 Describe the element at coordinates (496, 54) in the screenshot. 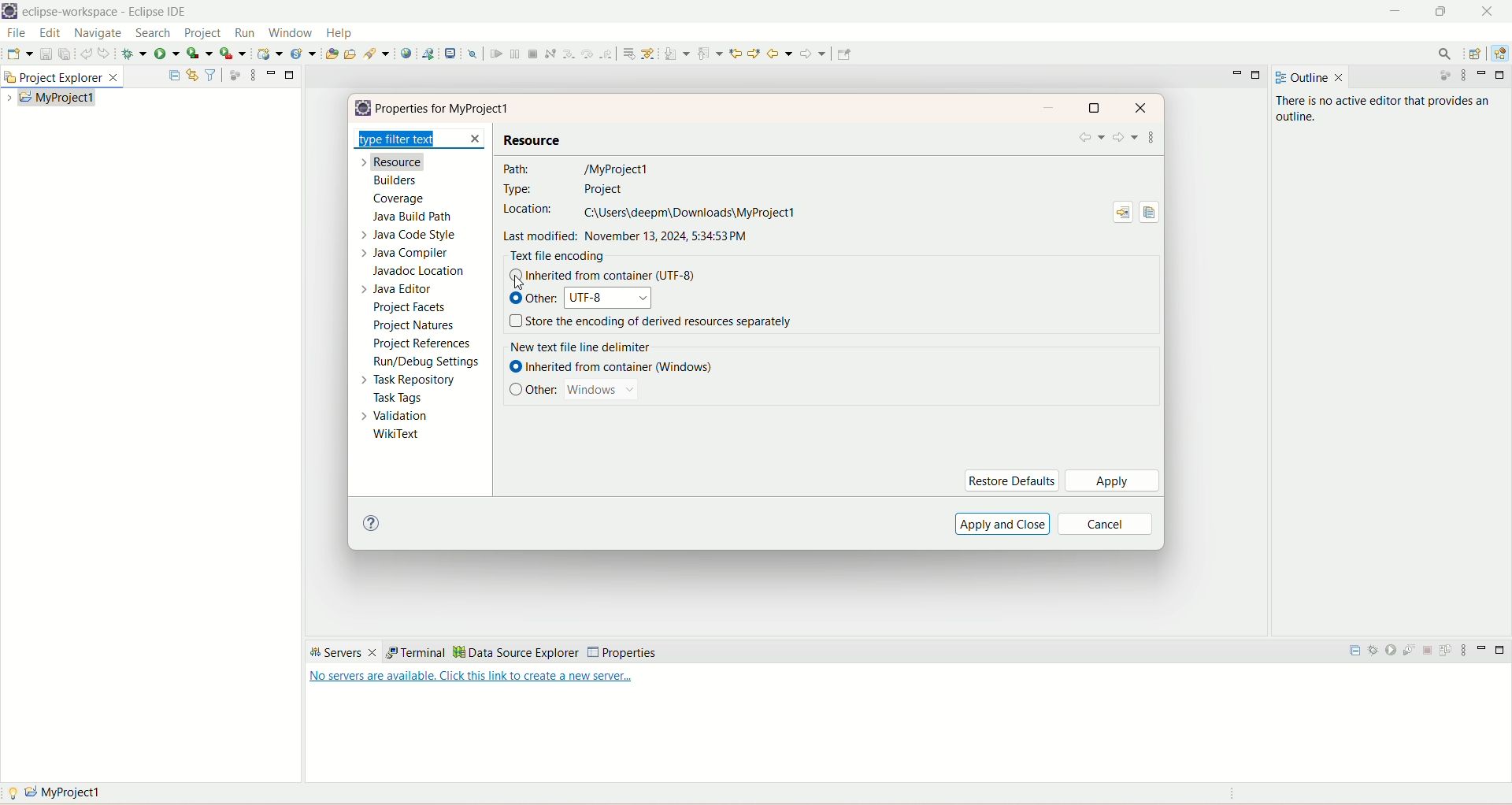

I see `resume` at that location.